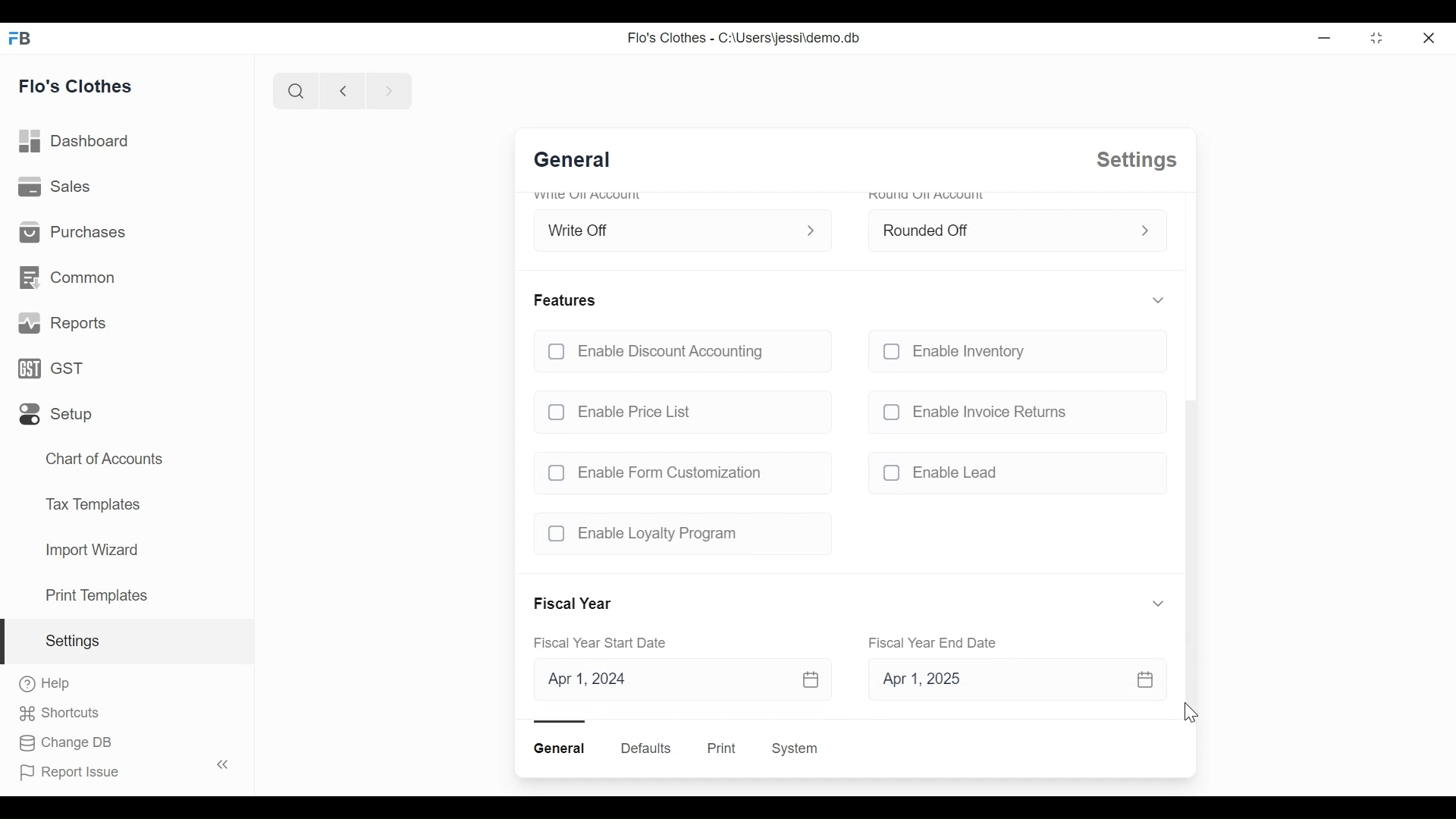 The image size is (1456, 819). What do you see at coordinates (24, 37) in the screenshot?
I see `Frappe Books Desktop icon` at bounding box center [24, 37].